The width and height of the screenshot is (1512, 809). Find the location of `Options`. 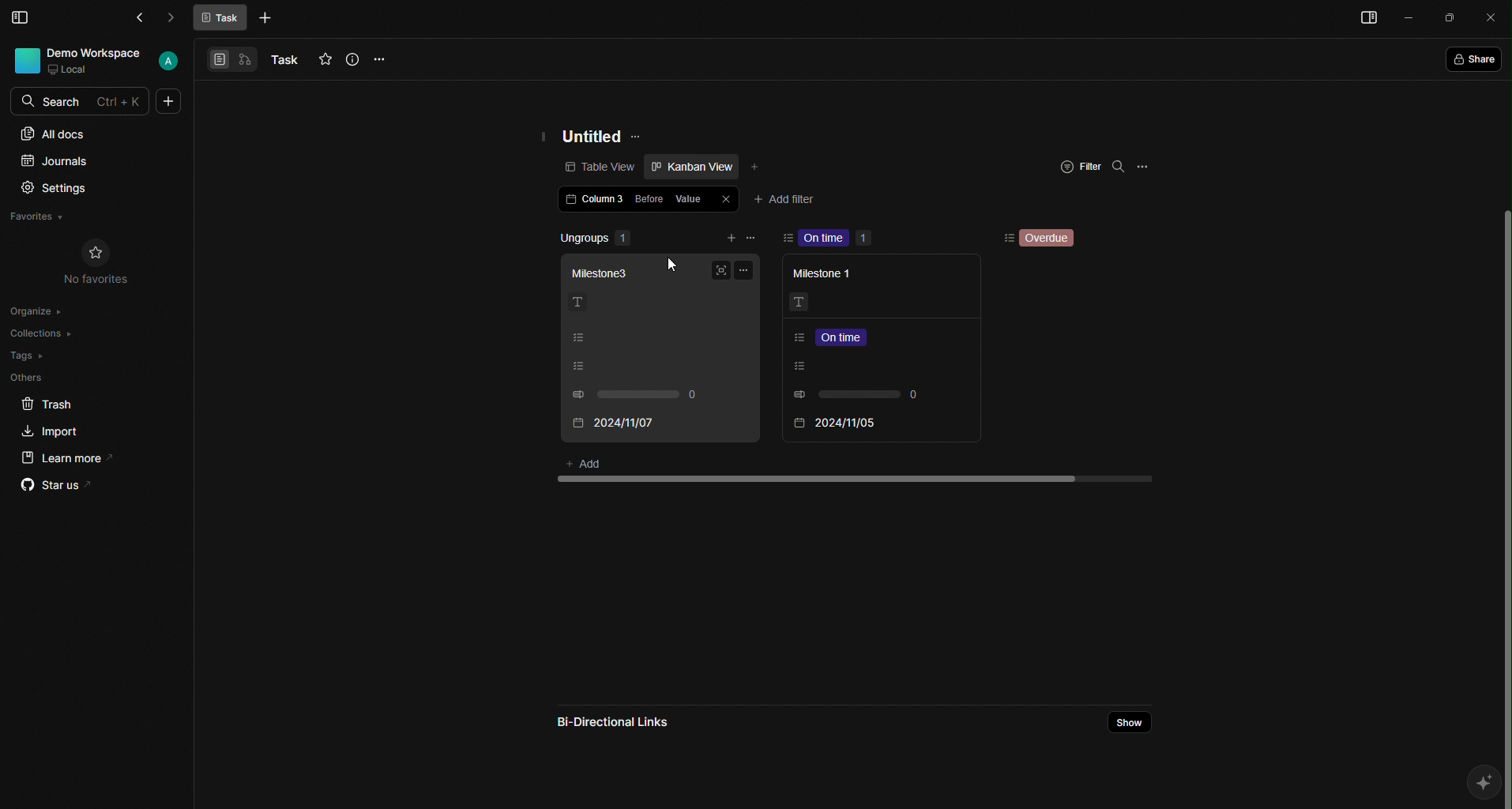

Options is located at coordinates (1143, 167).